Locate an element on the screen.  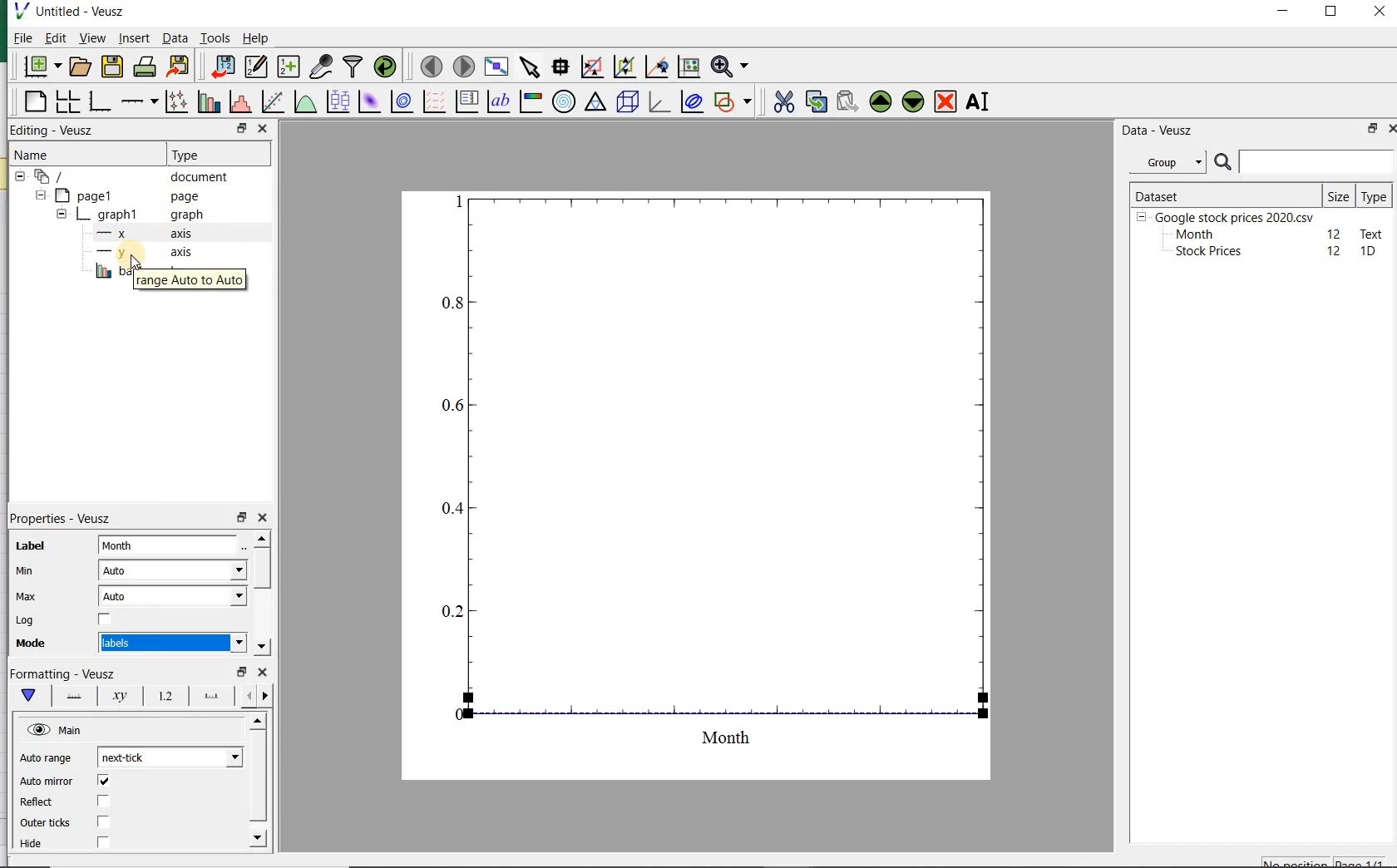
Auto is located at coordinates (172, 570).